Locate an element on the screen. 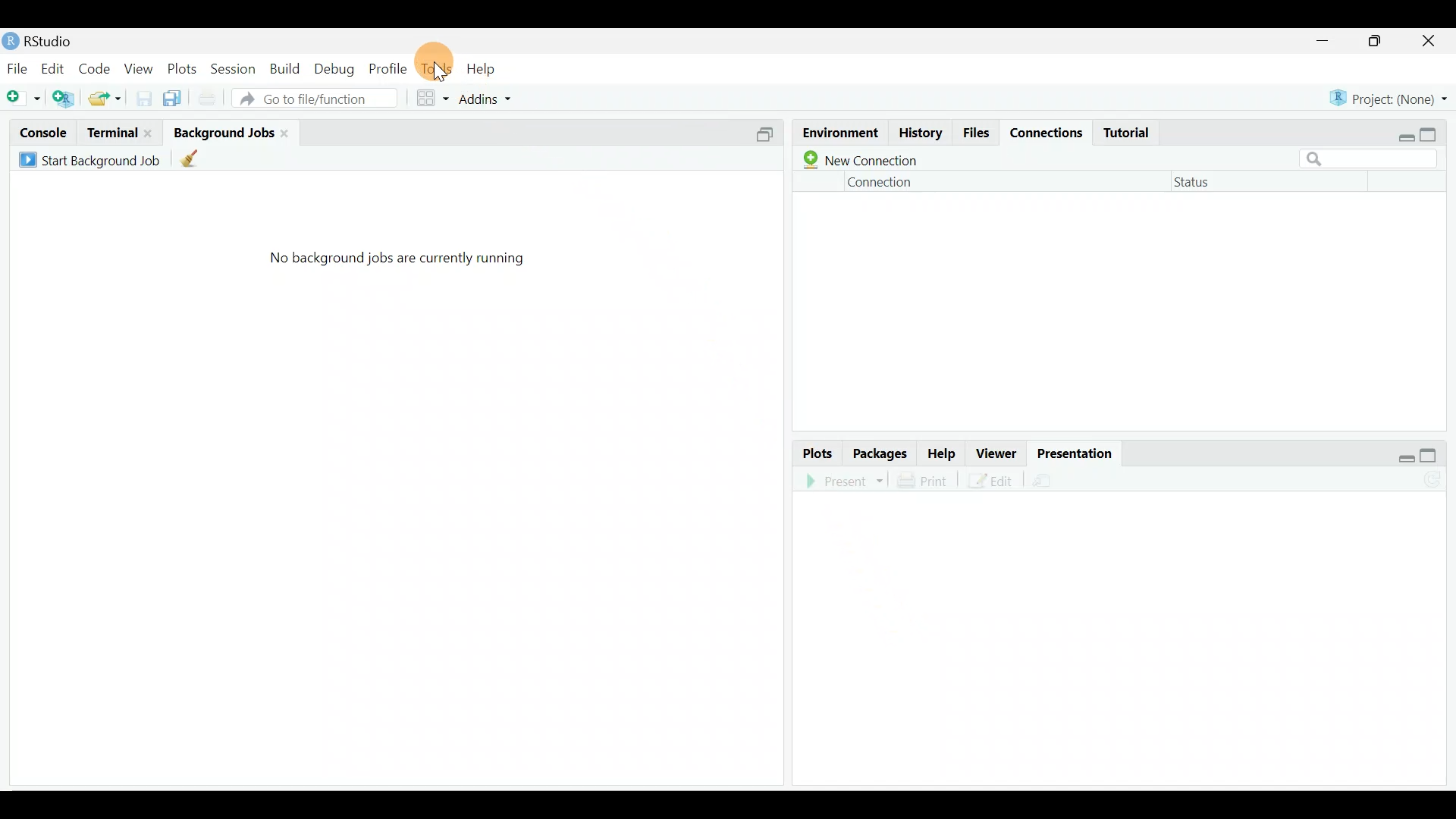 The image size is (1456, 819). Save current document is located at coordinates (140, 100).